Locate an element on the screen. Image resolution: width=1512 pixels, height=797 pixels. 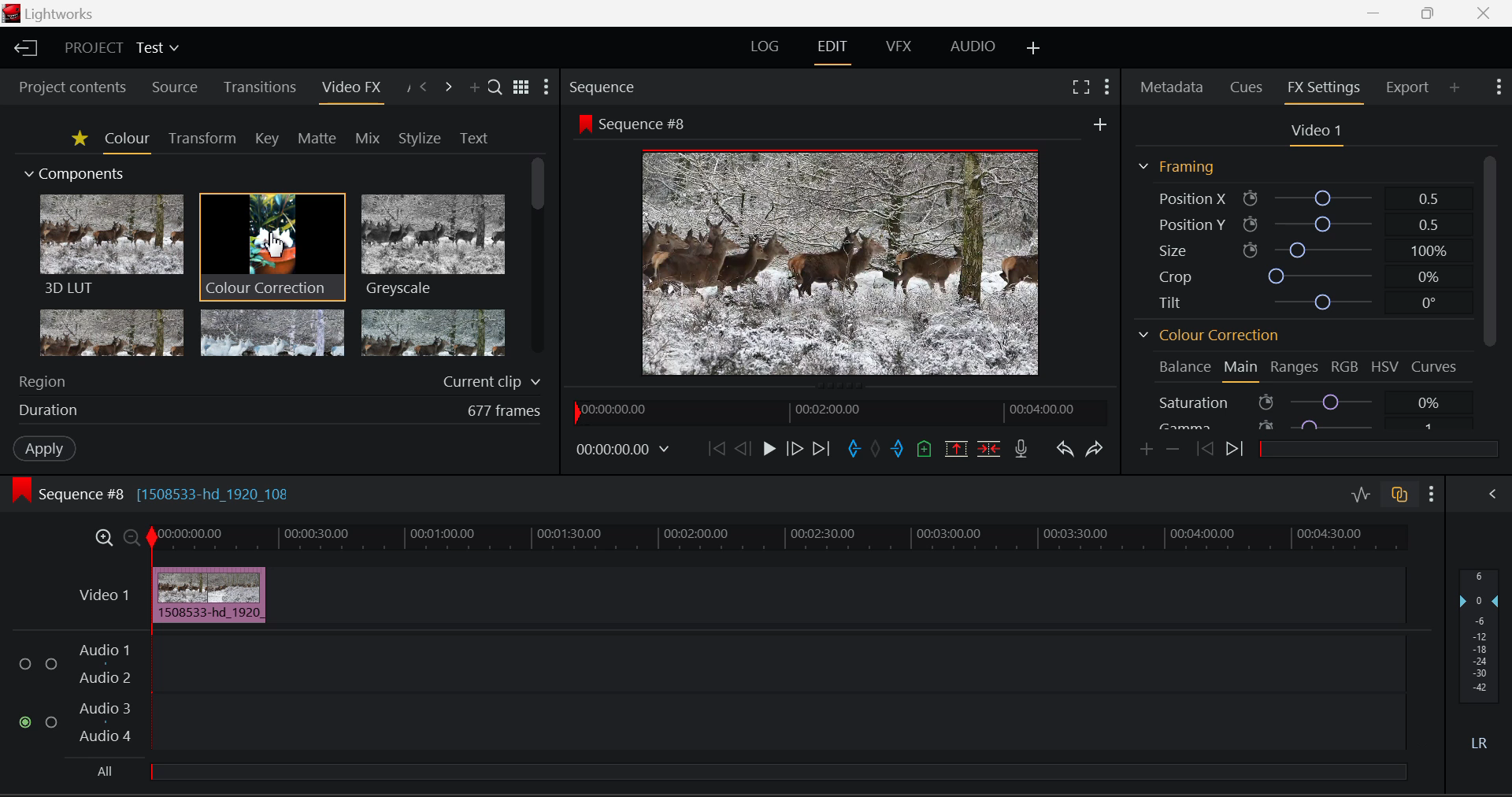
Greyscale is located at coordinates (431, 247).